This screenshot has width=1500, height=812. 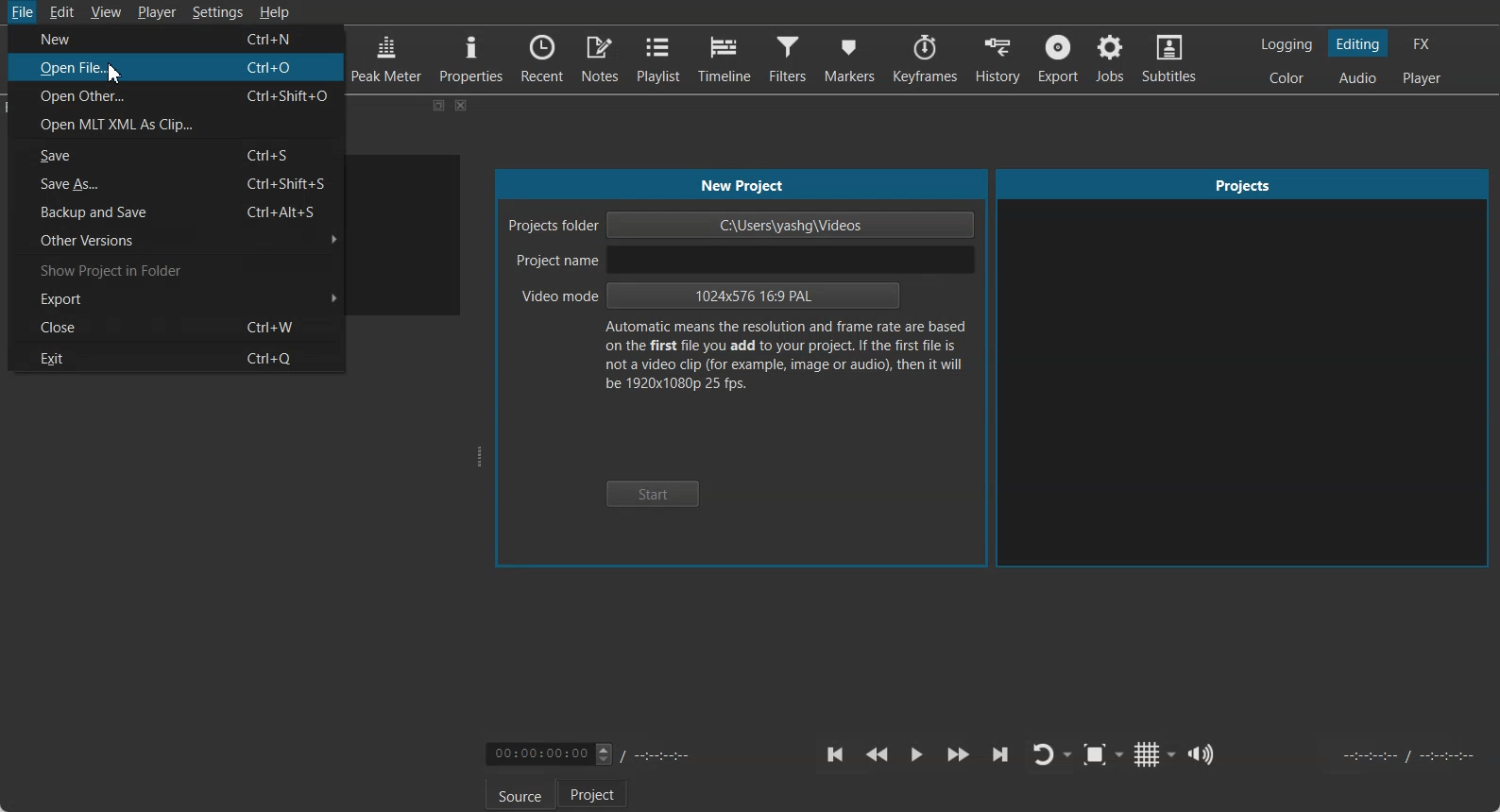 What do you see at coordinates (1171, 59) in the screenshot?
I see `Subtitles` at bounding box center [1171, 59].